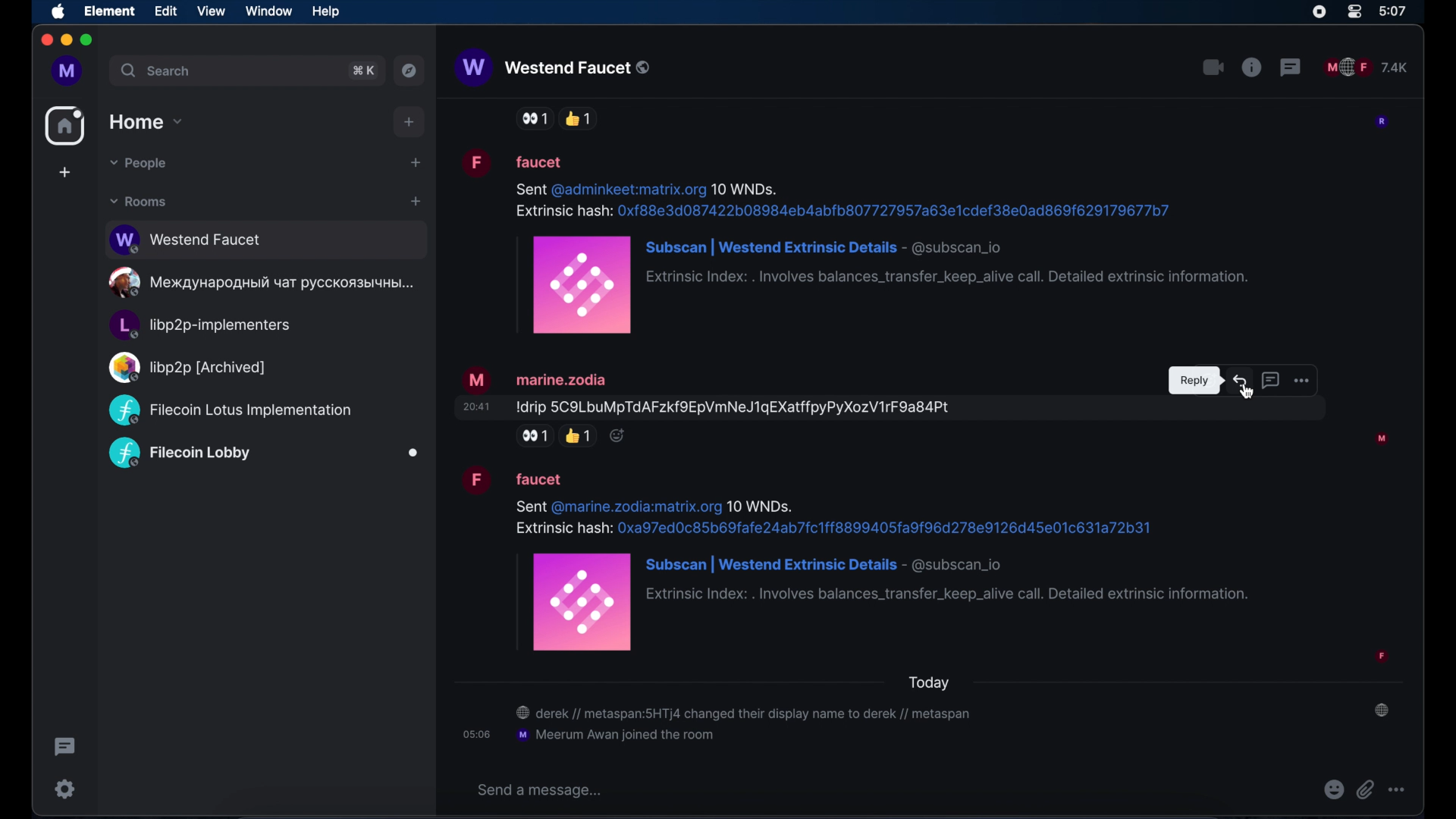 This screenshot has width=1456, height=819. I want to click on settings, so click(65, 789).